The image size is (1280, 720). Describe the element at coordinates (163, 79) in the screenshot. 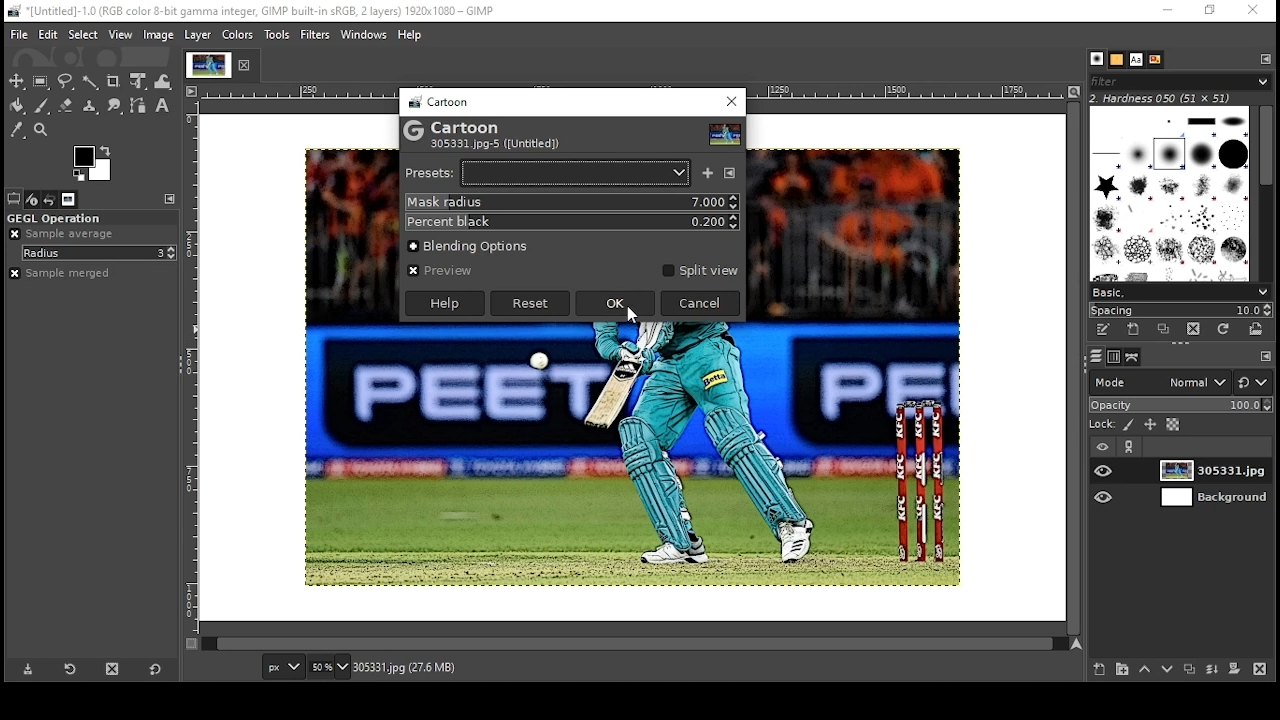

I see `warp transform` at that location.